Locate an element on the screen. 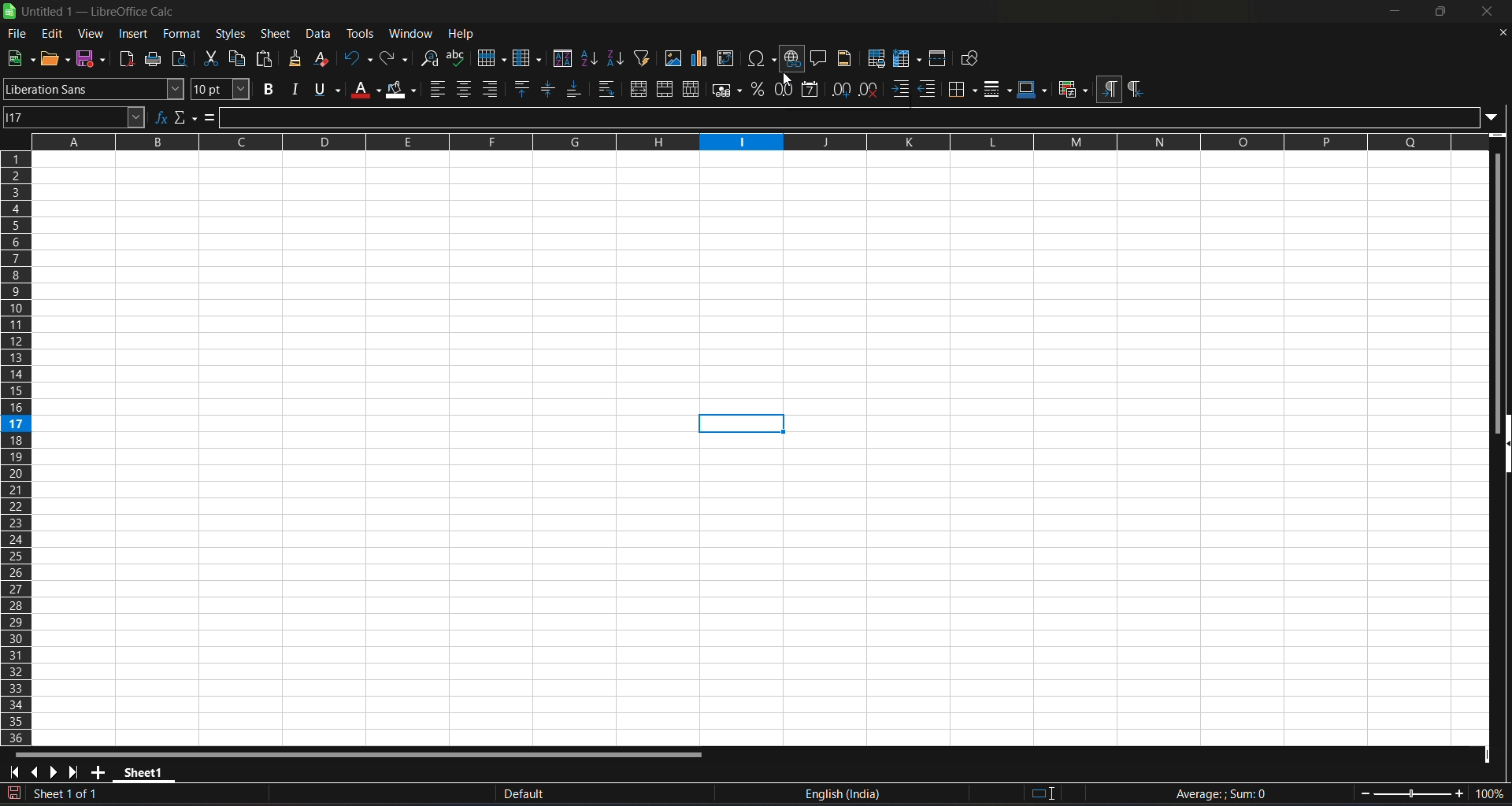 This screenshot has height=806, width=1512. left to right is located at coordinates (1109, 88).